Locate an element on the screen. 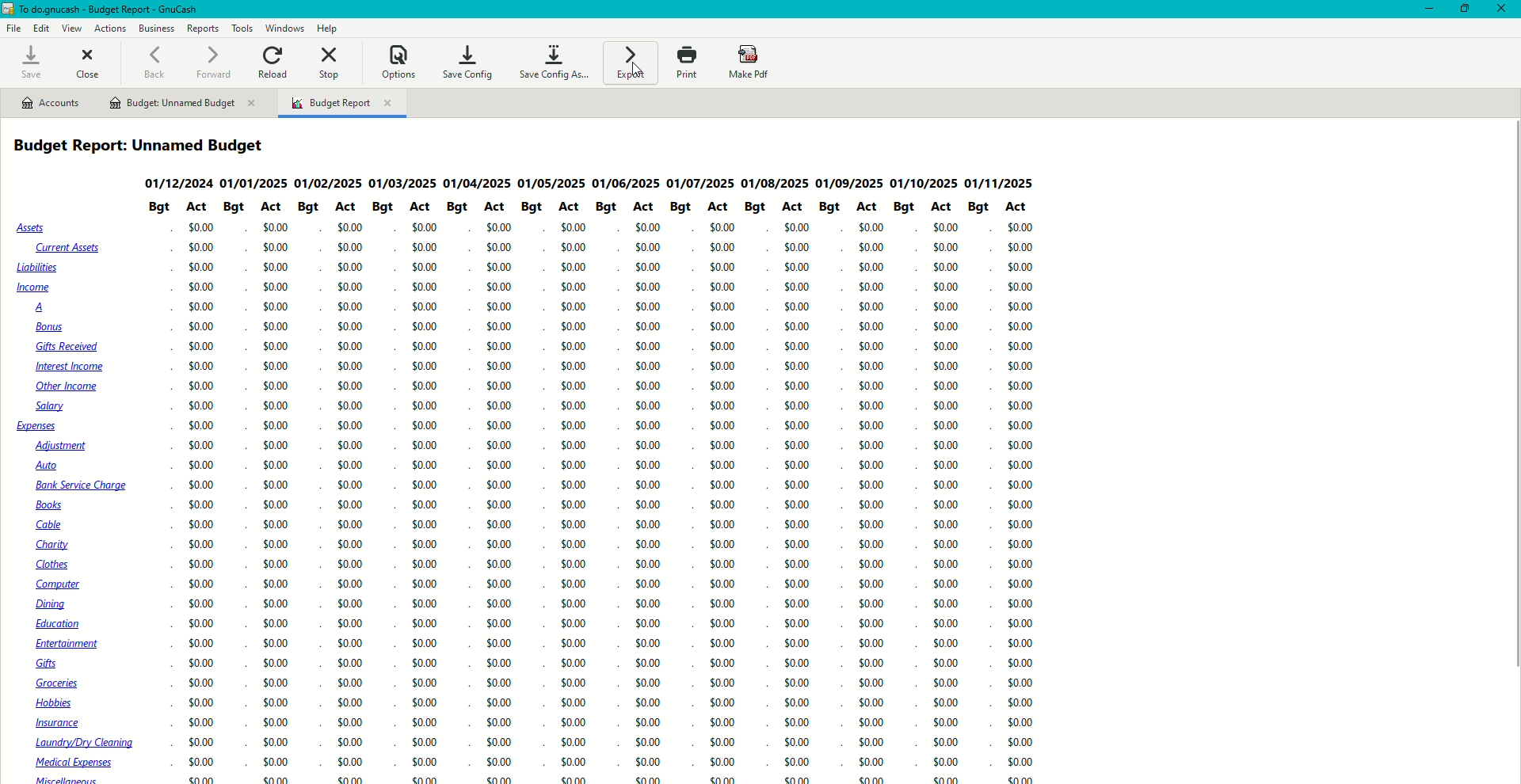 Image resolution: width=1521 pixels, height=784 pixels. 01/05/2025 is located at coordinates (554, 184).